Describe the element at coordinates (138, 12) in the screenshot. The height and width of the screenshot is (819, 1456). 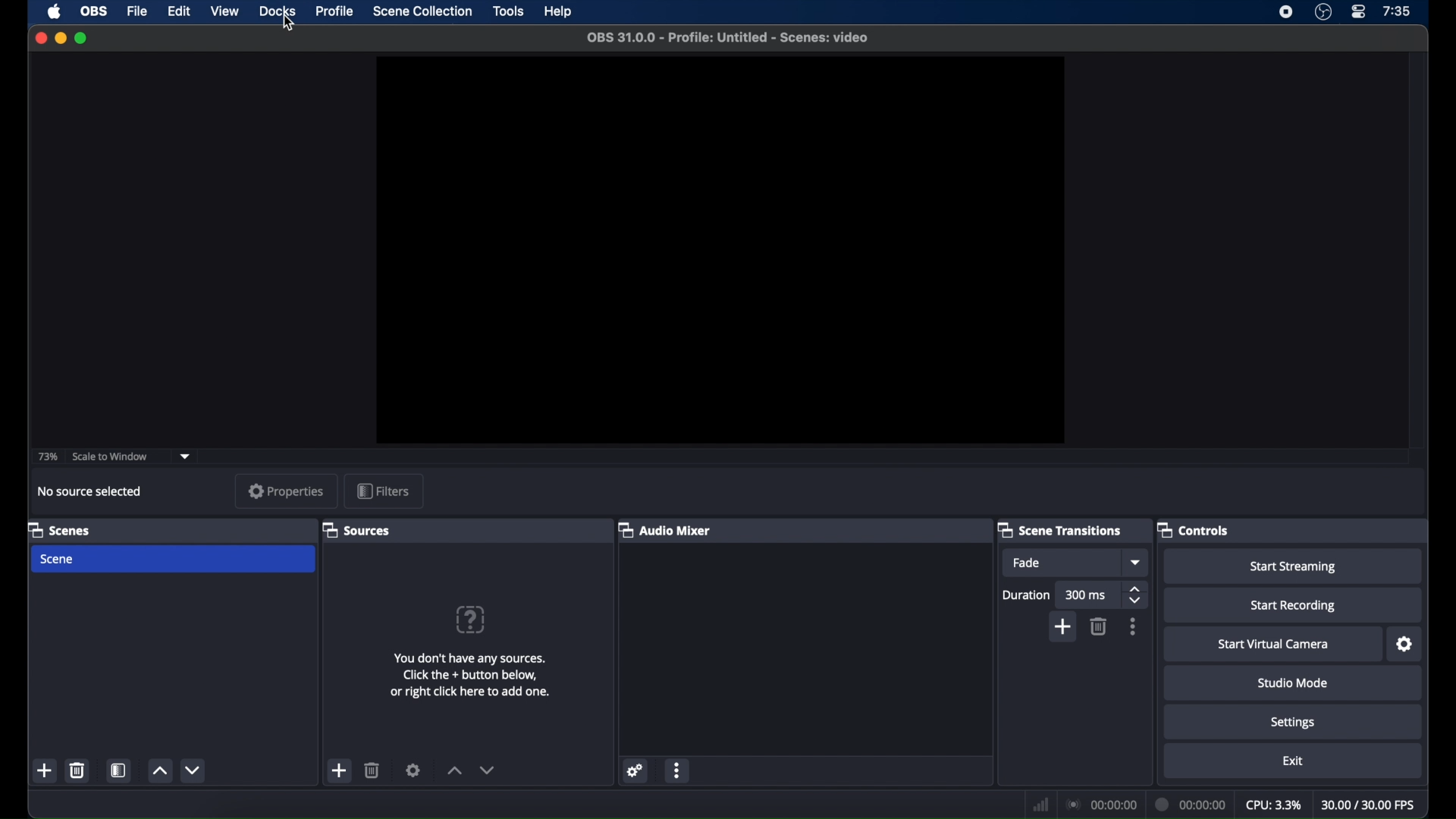
I see `file` at that location.